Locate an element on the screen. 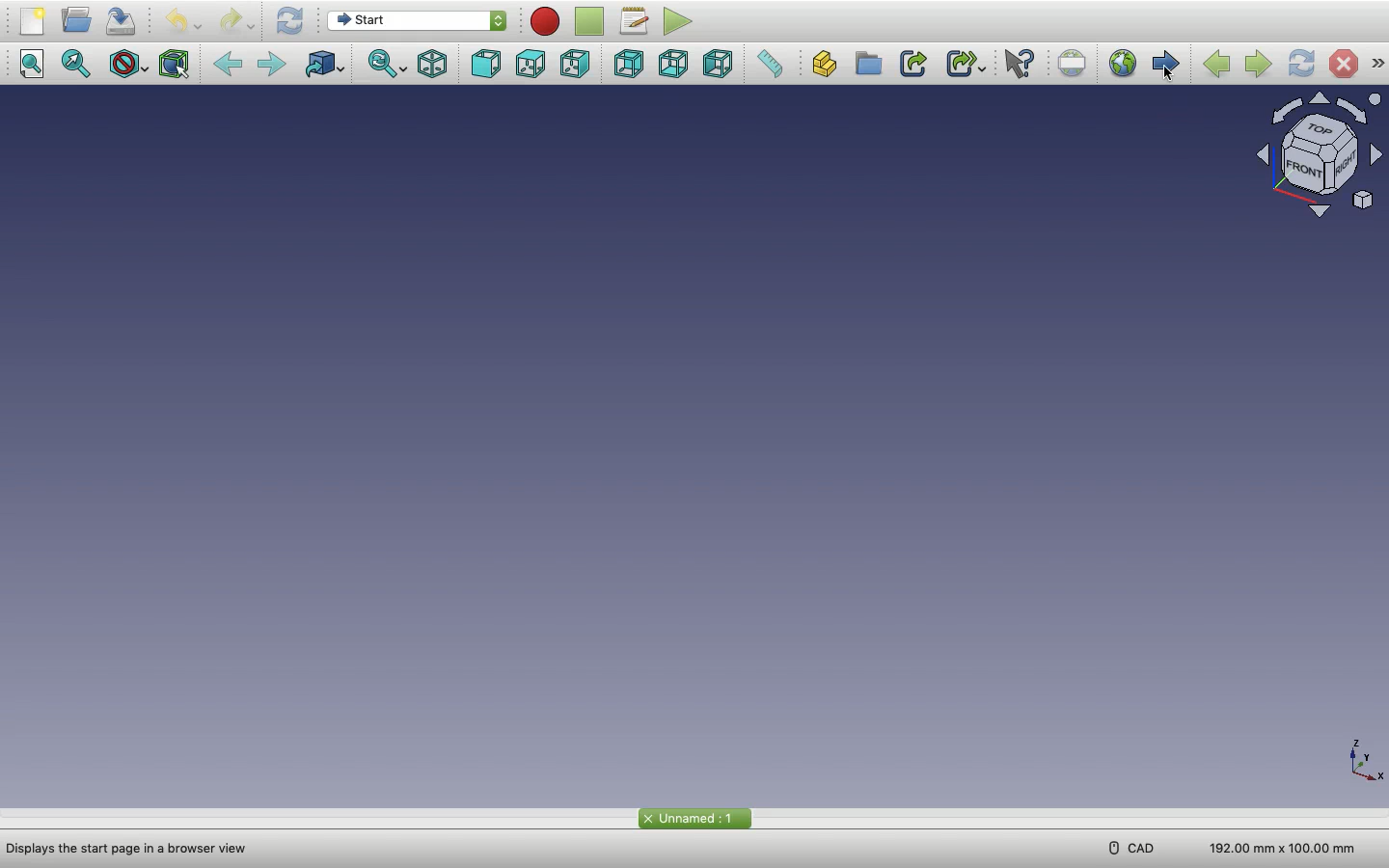  Undo is located at coordinates (178, 21).